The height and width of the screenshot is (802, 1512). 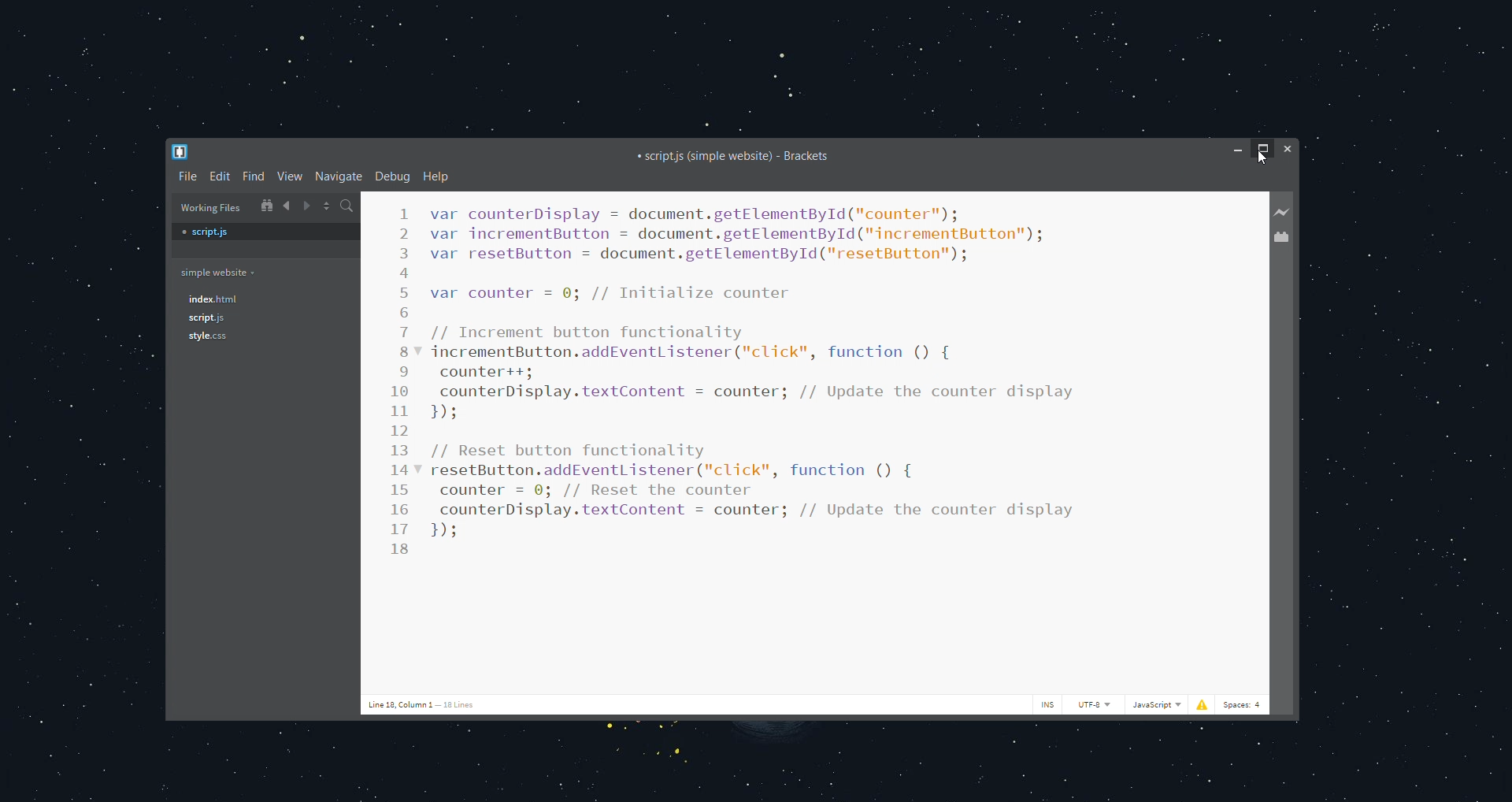 What do you see at coordinates (287, 205) in the screenshot?
I see `navigate backward` at bounding box center [287, 205].